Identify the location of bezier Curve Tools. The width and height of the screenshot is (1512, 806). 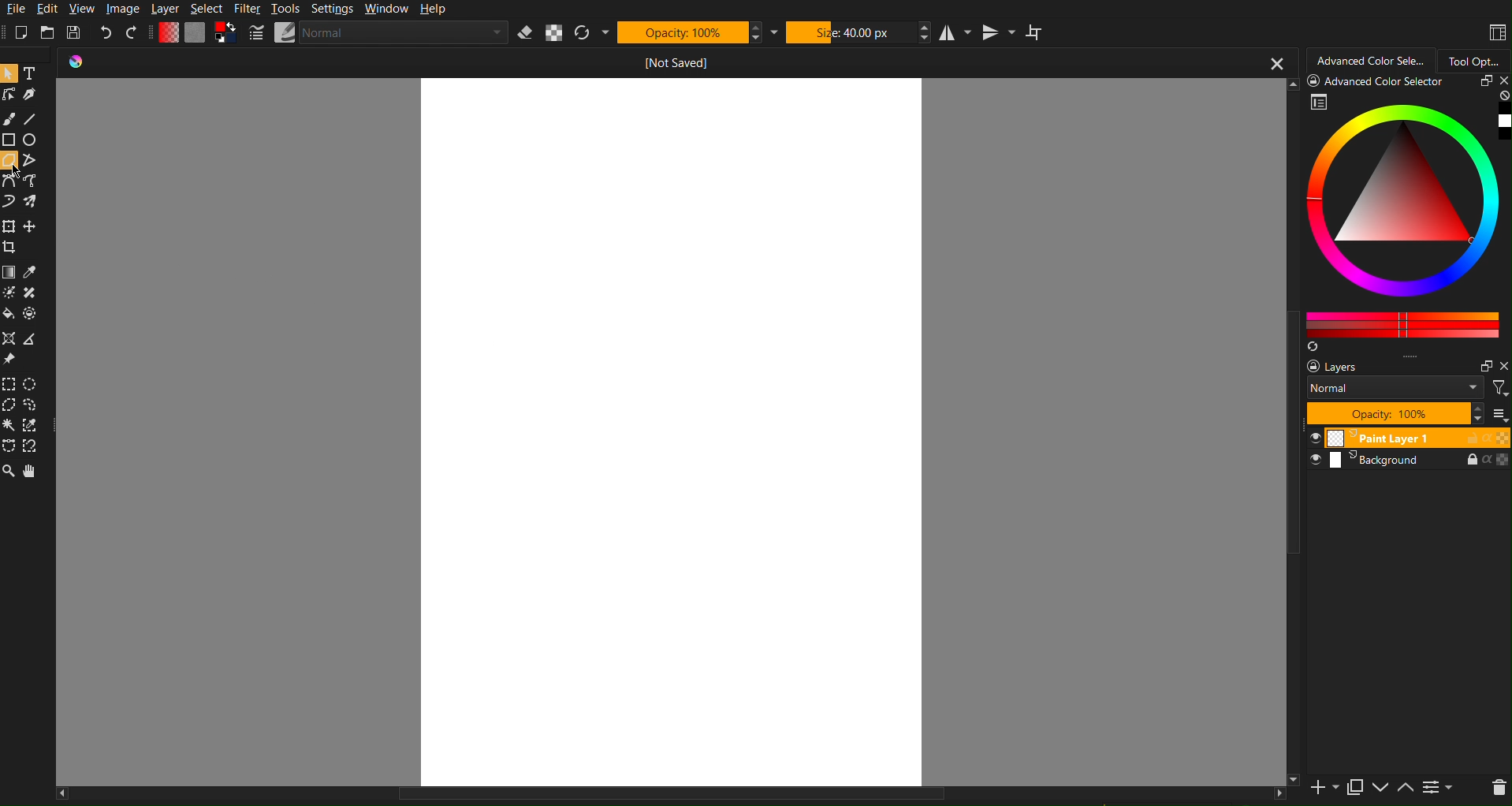
(9, 181).